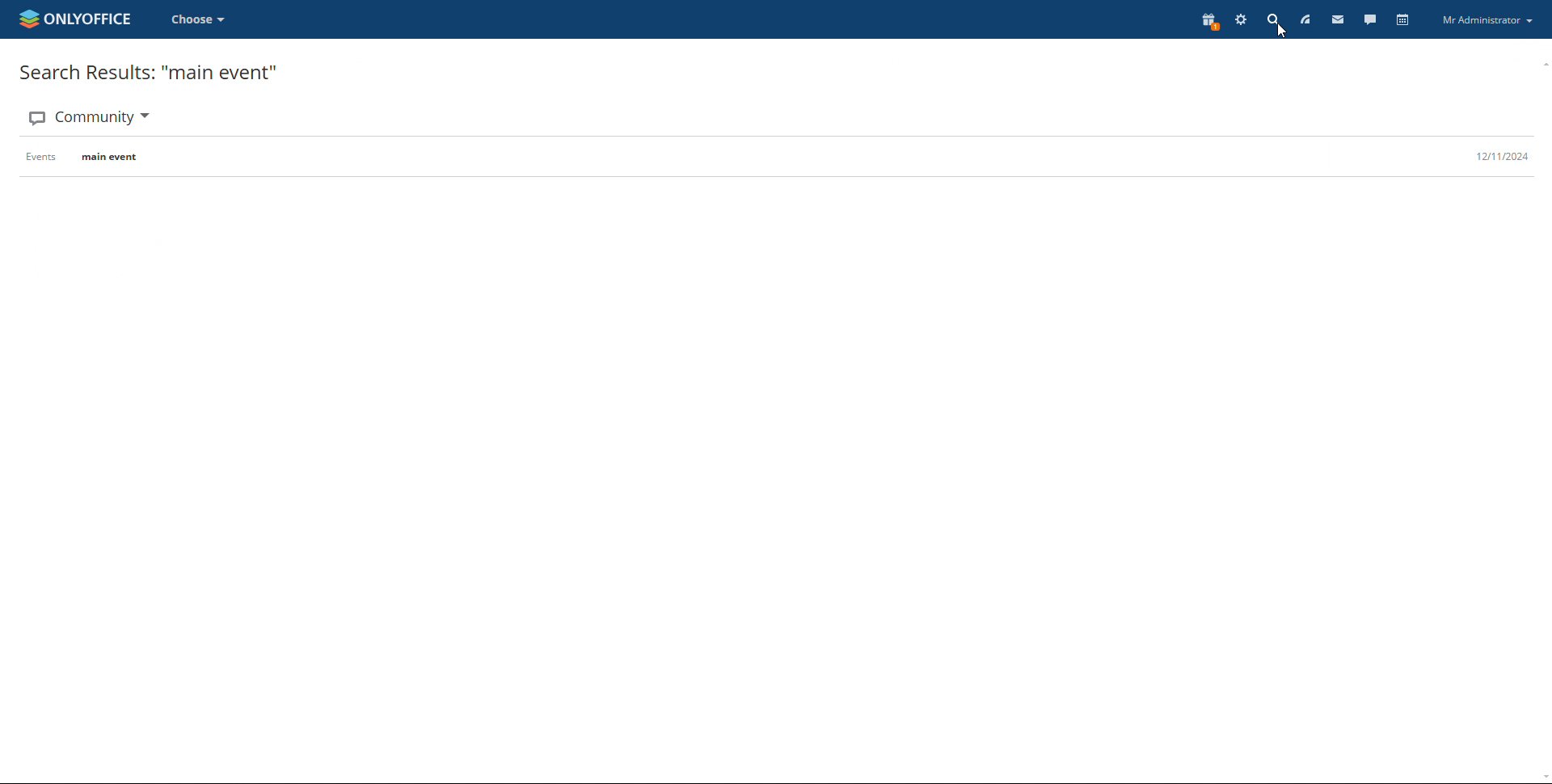 Image resolution: width=1552 pixels, height=784 pixels. Describe the element at coordinates (1402, 20) in the screenshot. I see `calendar` at that location.